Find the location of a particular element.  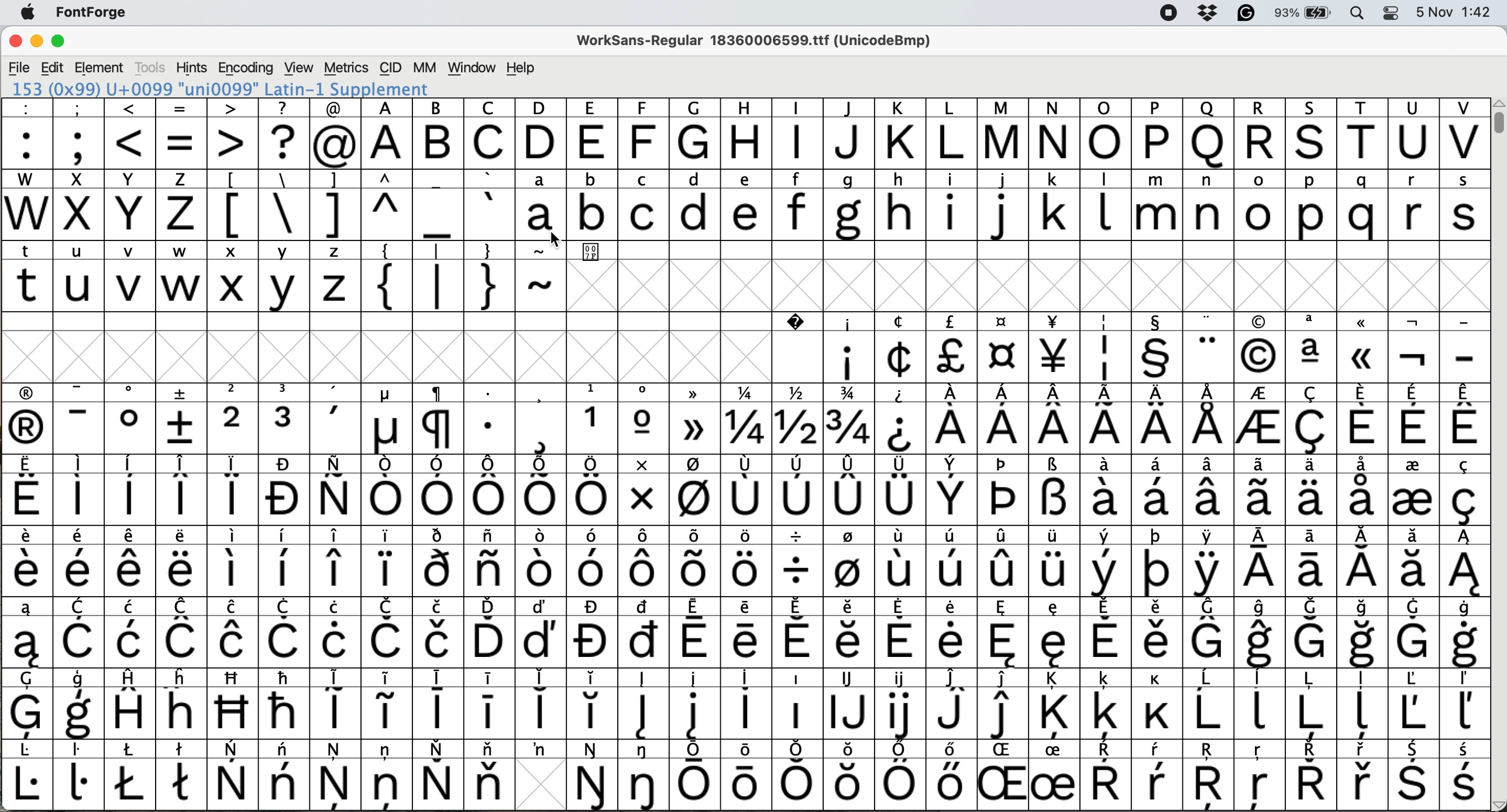

symbol is located at coordinates (540, 749).